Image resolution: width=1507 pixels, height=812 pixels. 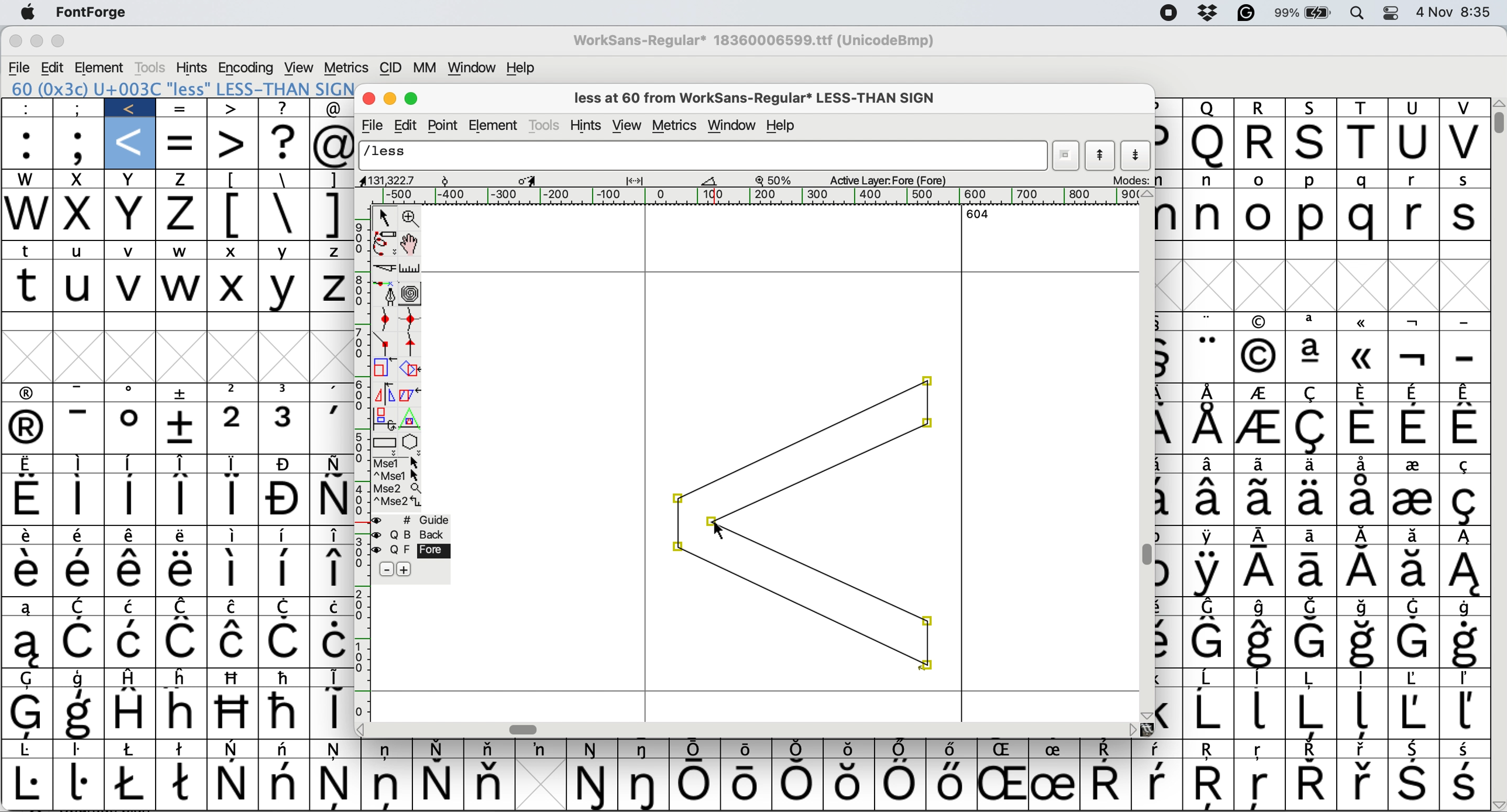 I want to click on q, so click(x=1208, y=108).